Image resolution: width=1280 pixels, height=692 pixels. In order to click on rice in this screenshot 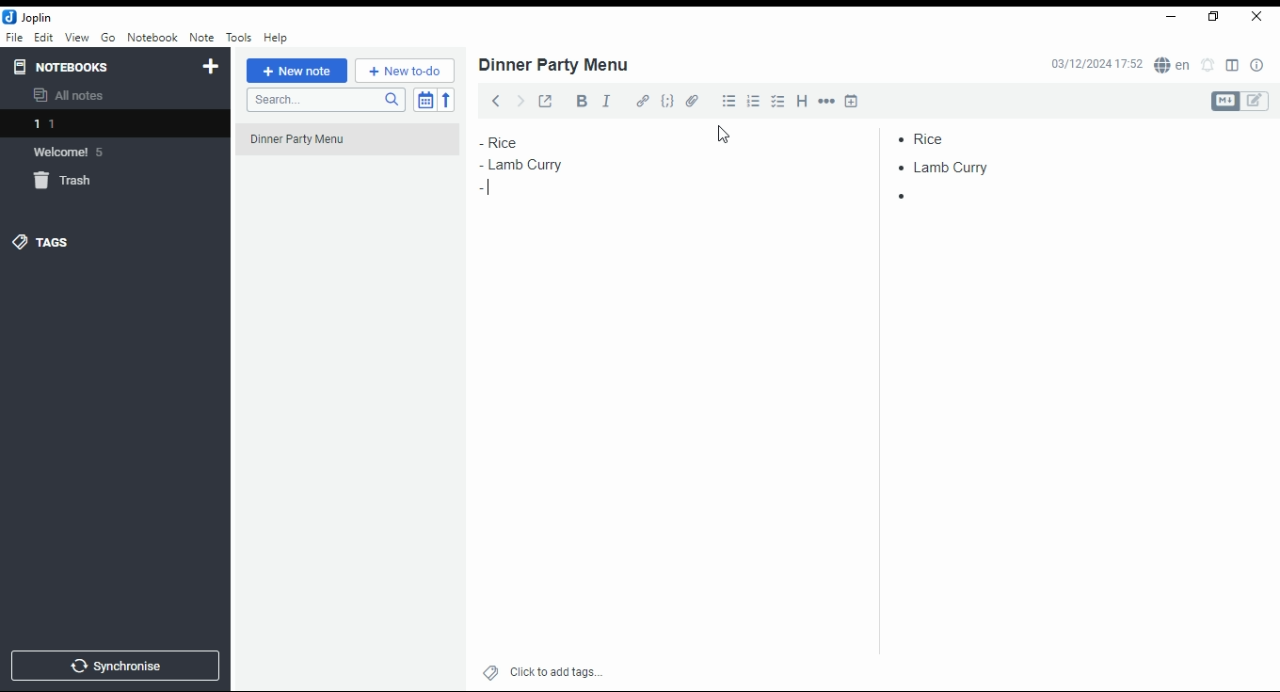, I will do `click(515, 142)`.